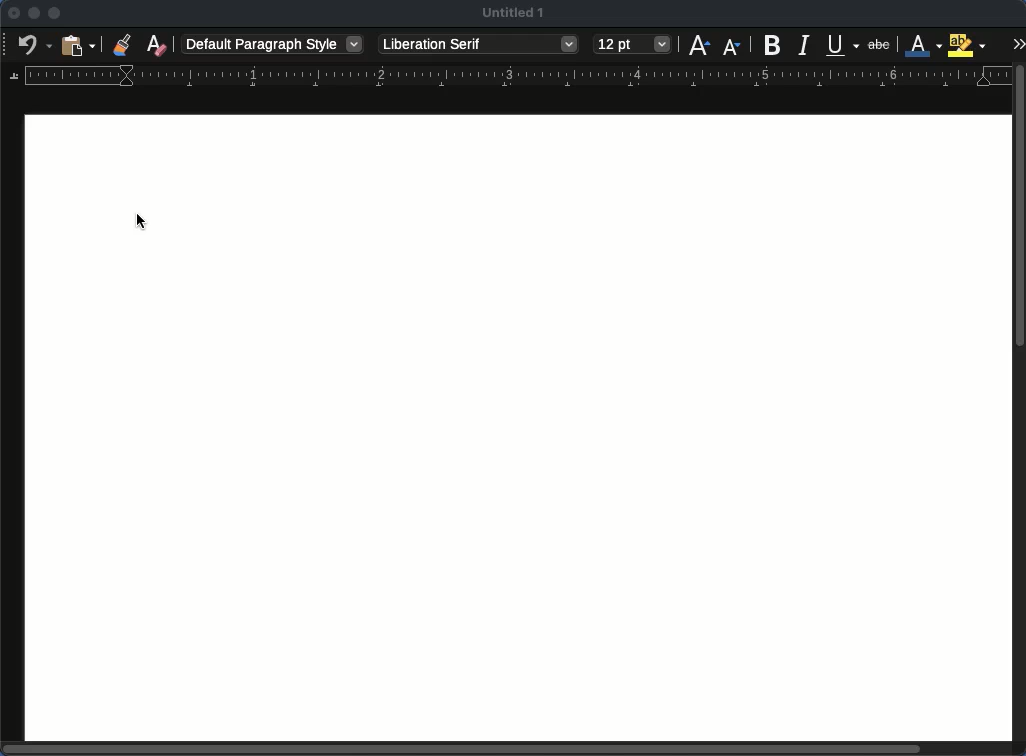  I want to click on 12 pt - size, so click(633, 43).